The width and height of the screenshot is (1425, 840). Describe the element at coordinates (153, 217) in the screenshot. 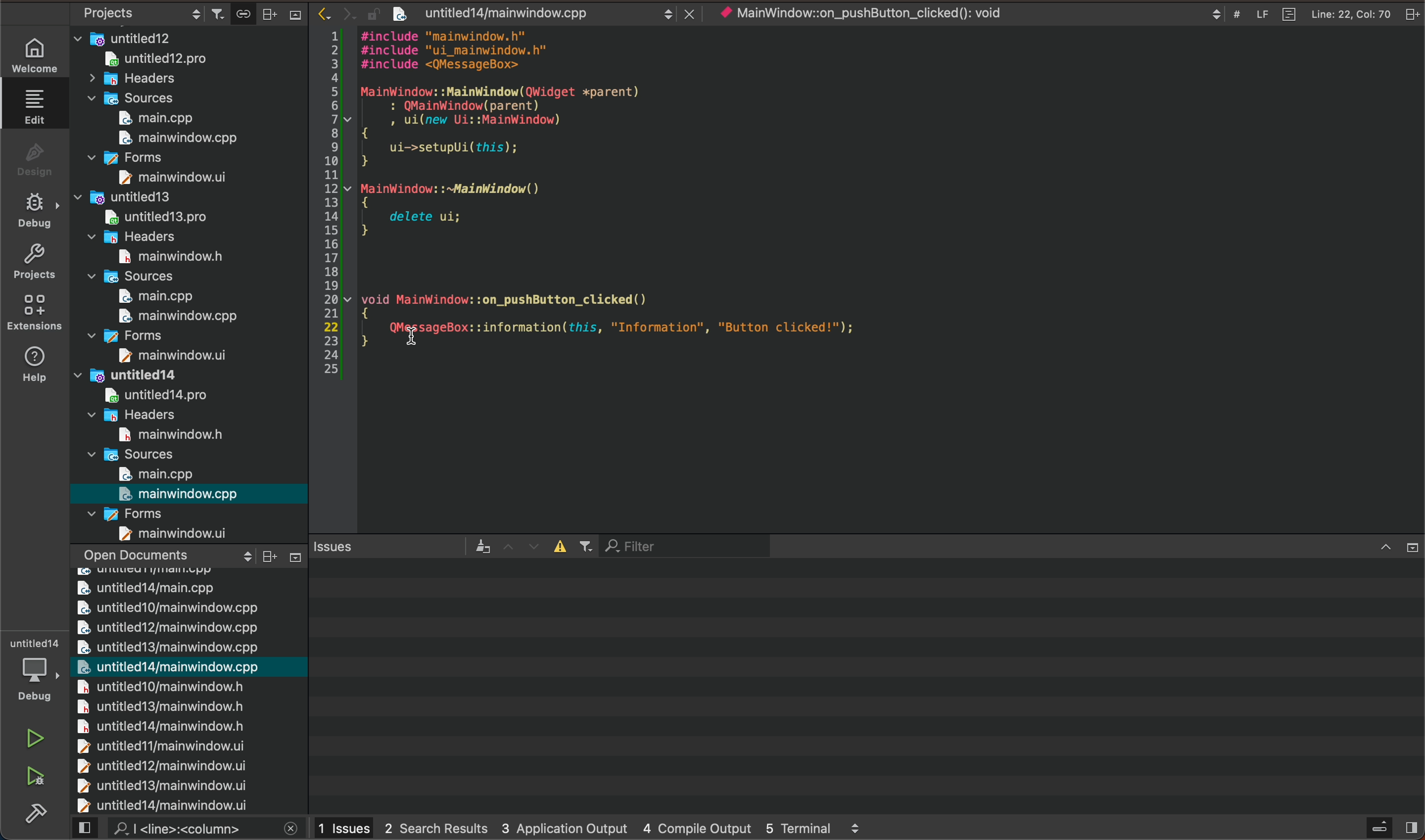

I see `untitled13.pro` at that location.